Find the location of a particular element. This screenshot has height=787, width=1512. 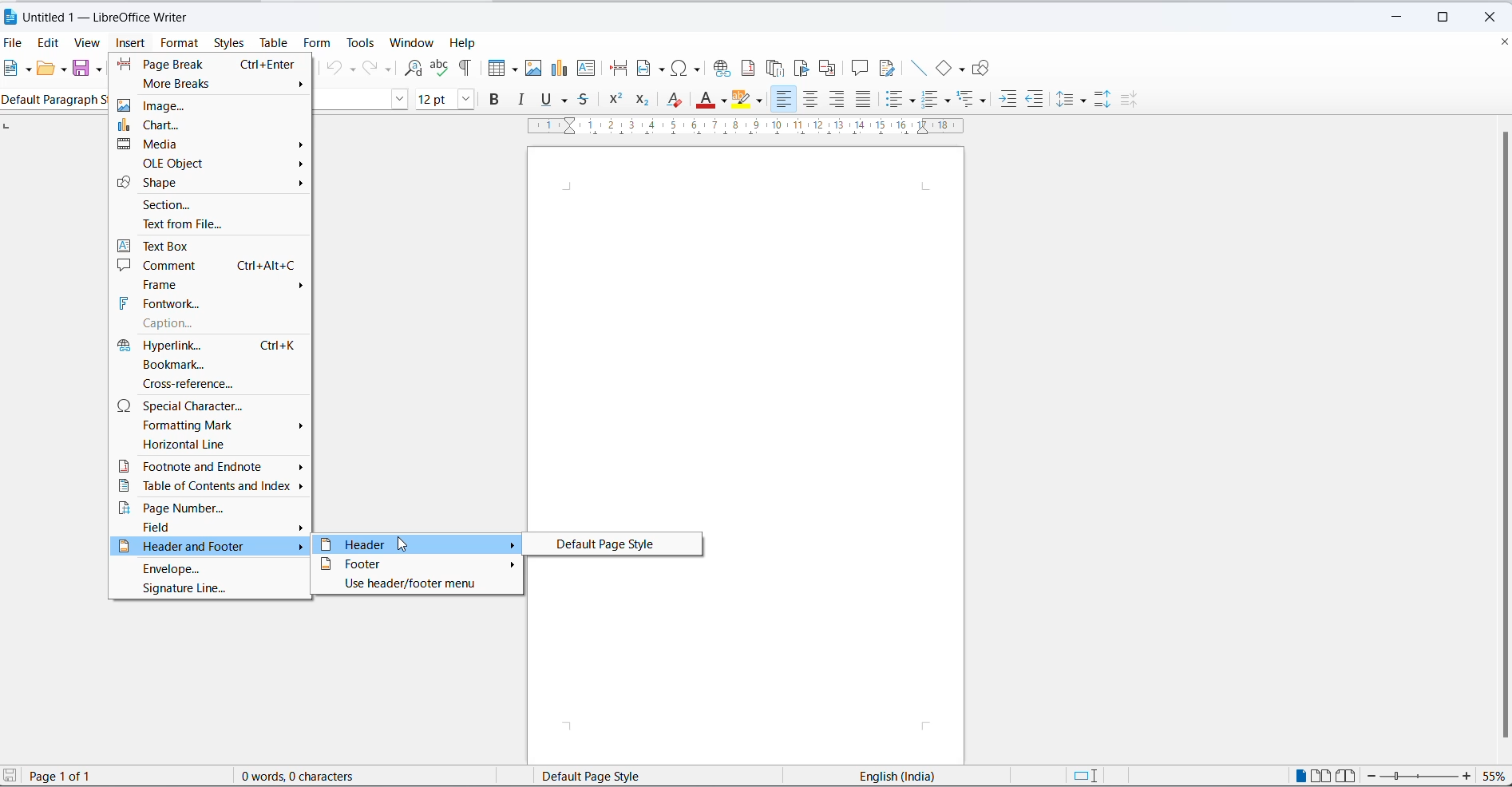

form is located at coordinates (319, 43).